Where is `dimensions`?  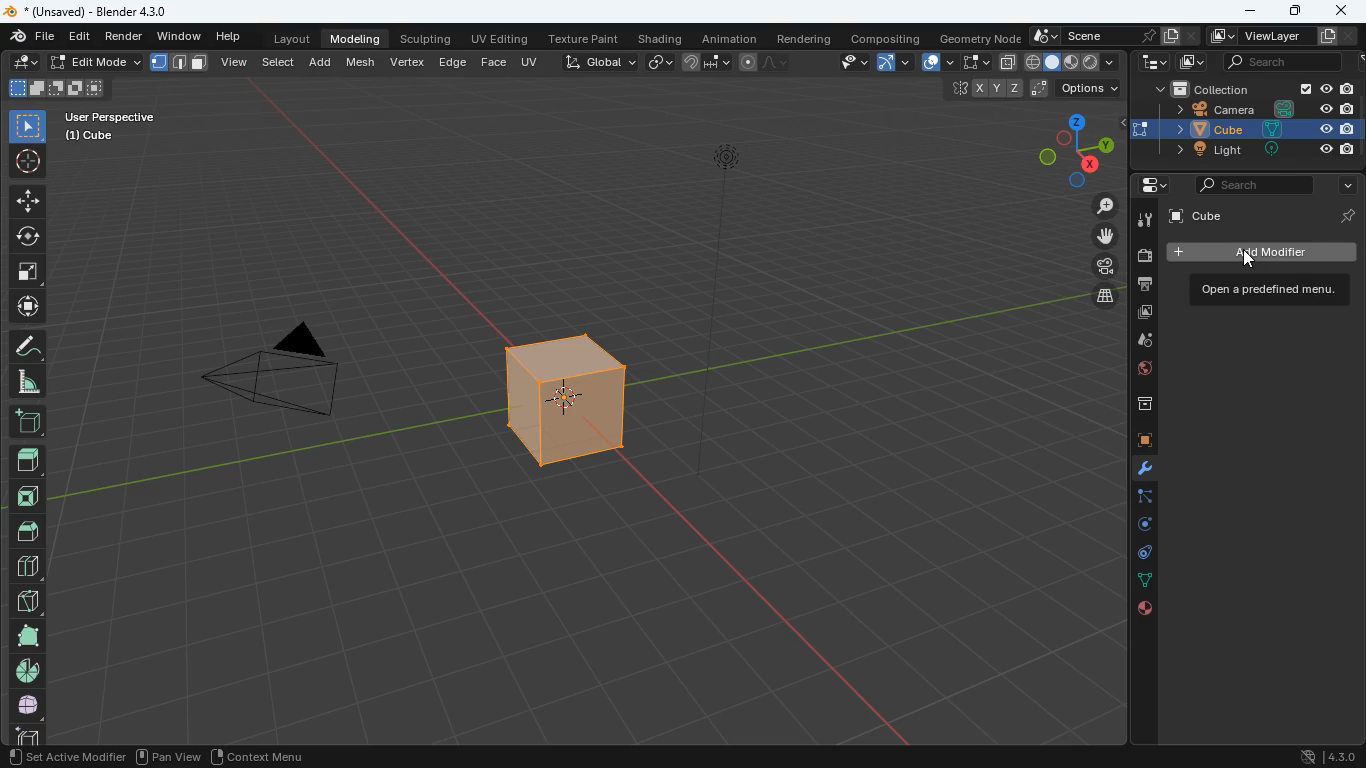 dimensions is located at coordinates (1067, 154).